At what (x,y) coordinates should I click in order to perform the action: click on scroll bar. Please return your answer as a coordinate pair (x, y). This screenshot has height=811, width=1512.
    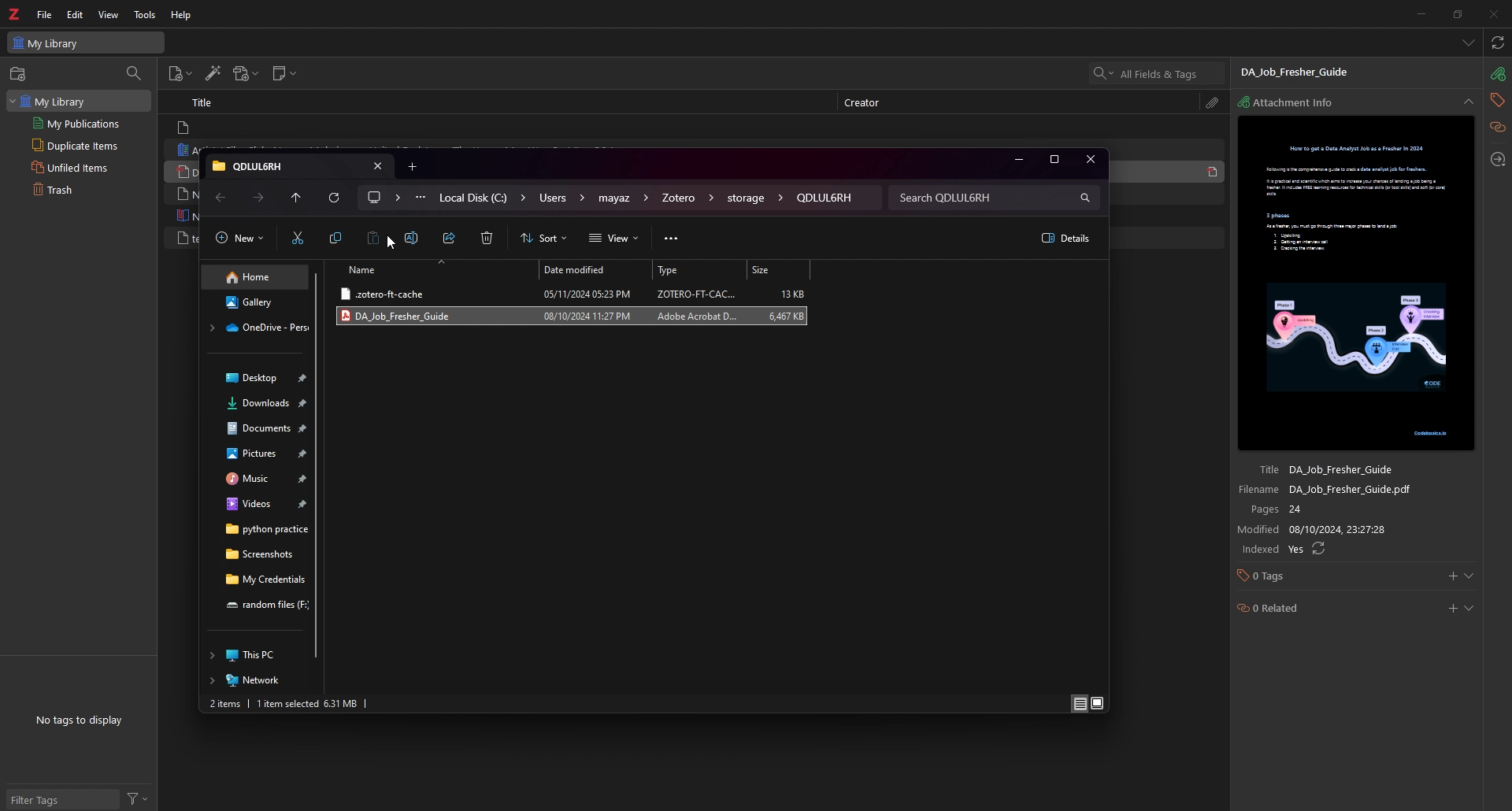
    Looking at the image, I should click on (317, 465).